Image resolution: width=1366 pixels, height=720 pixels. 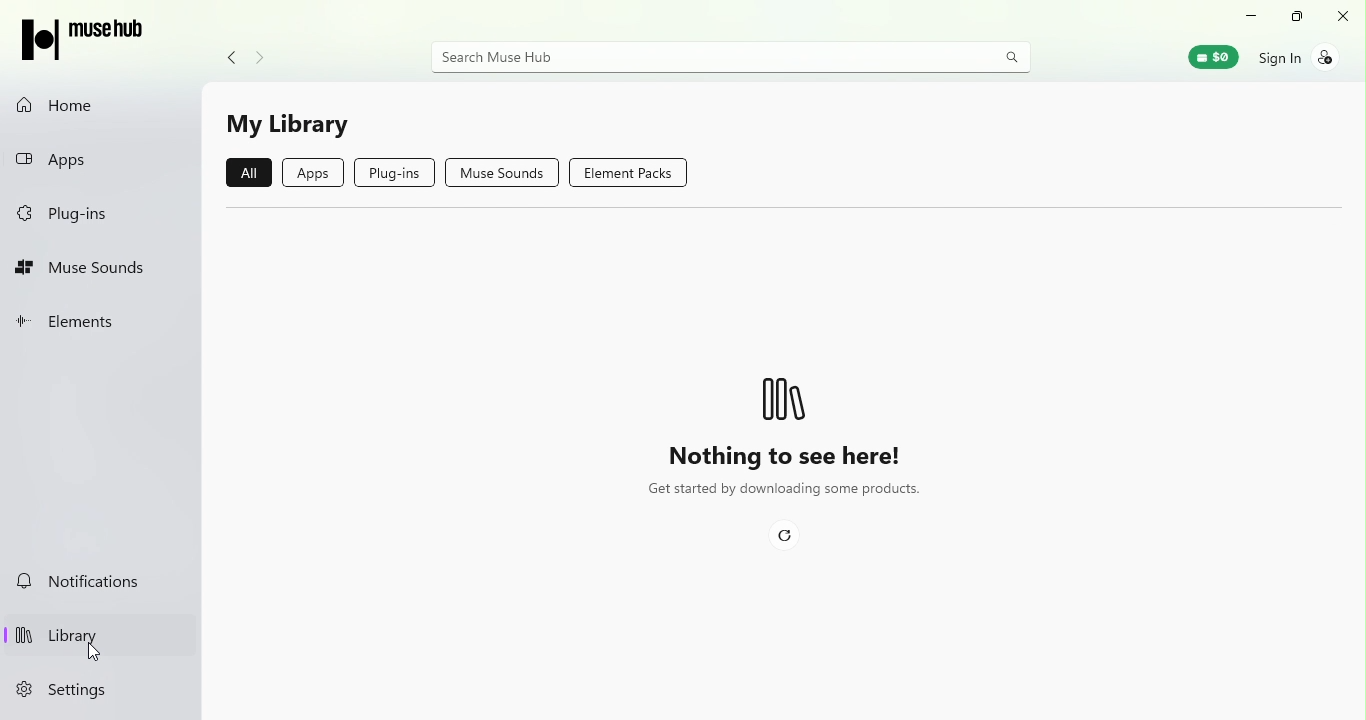 What do you see at coordinates (63, 693) in the screenshot?
I see `Settings` at bounding box center [63, 693].